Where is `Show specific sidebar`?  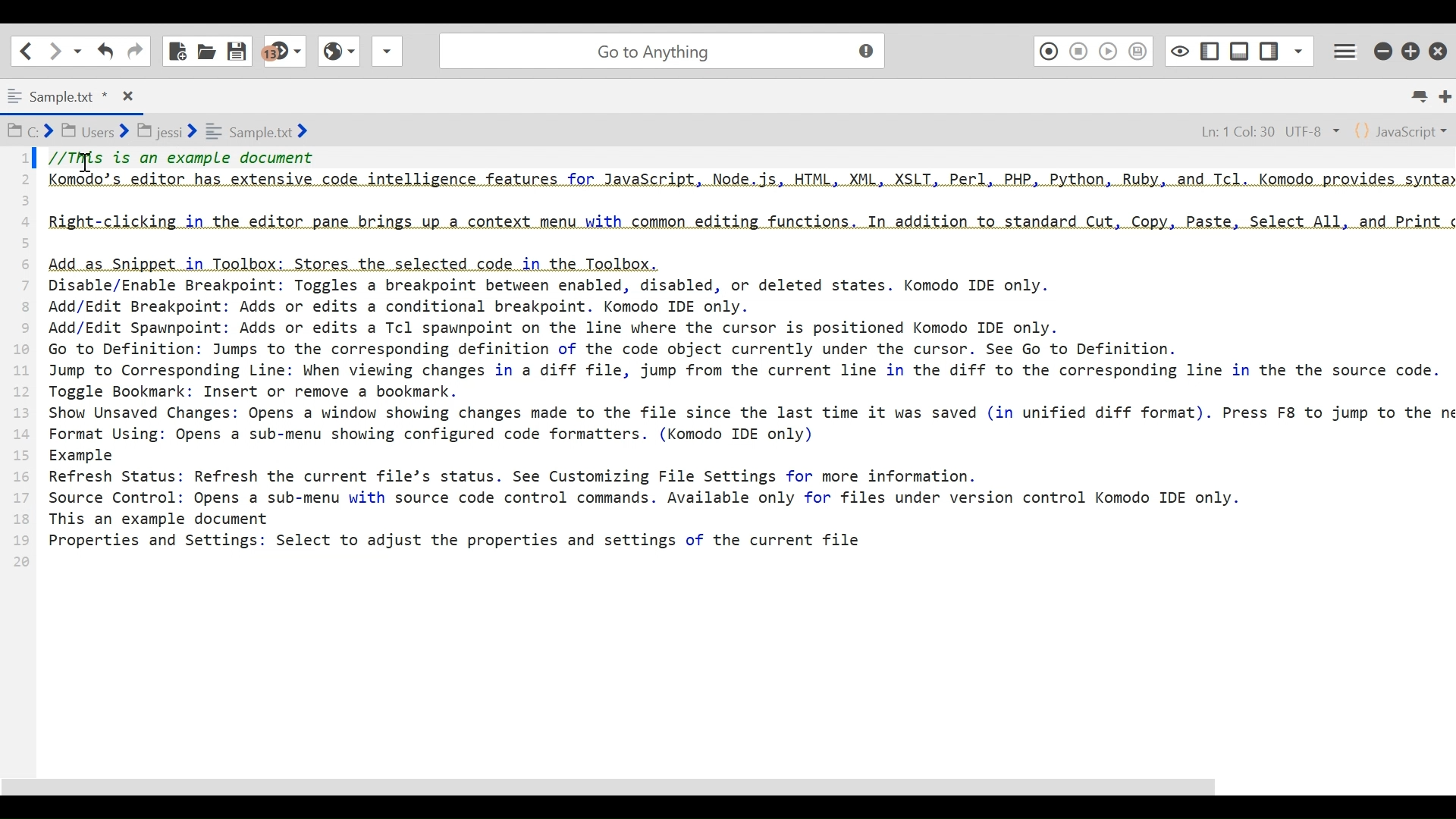
Show specific sidebar is located at coordinates (1298, 49).